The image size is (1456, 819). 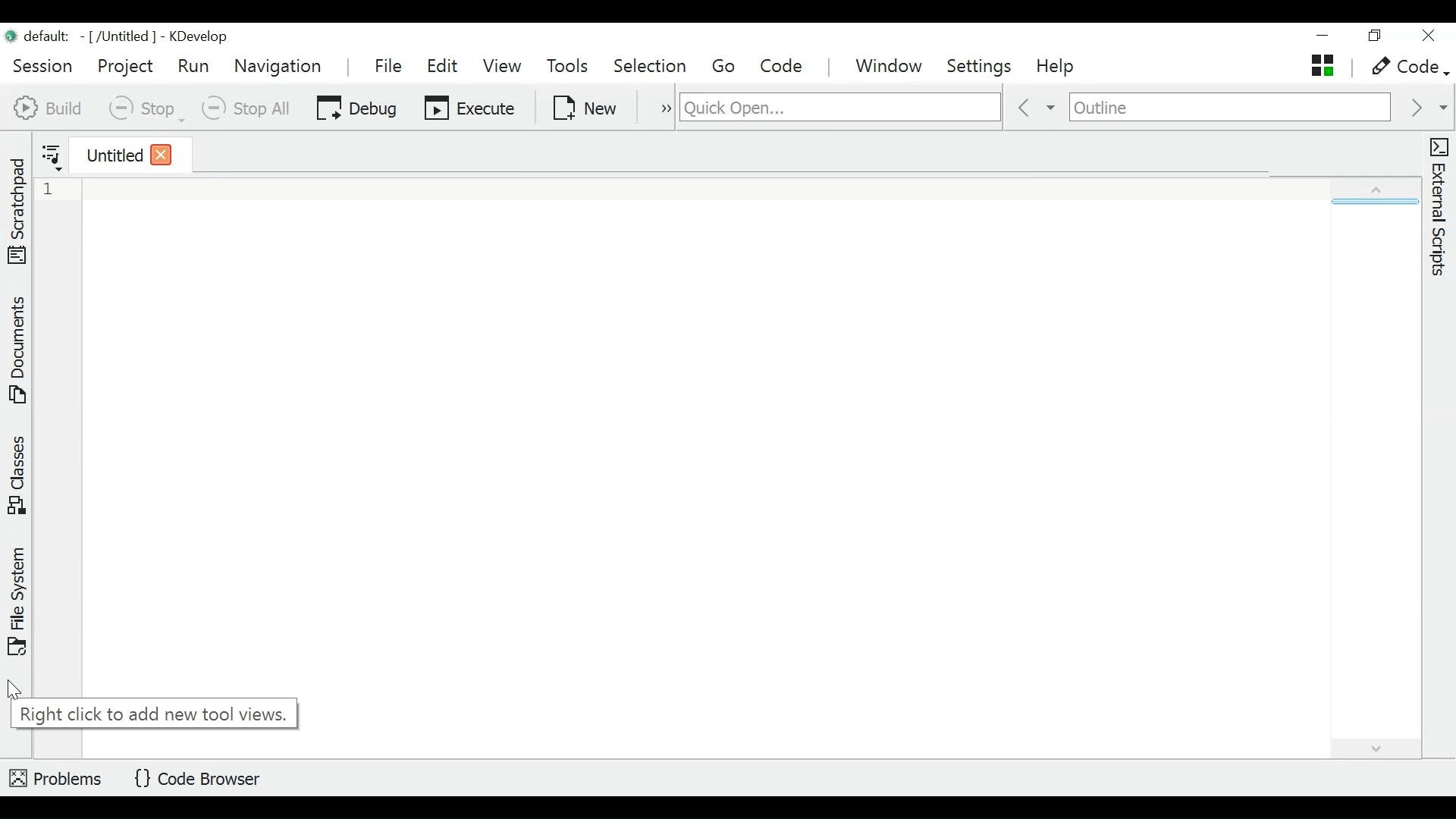 I want to click on Session, so click(x=45, y=65).